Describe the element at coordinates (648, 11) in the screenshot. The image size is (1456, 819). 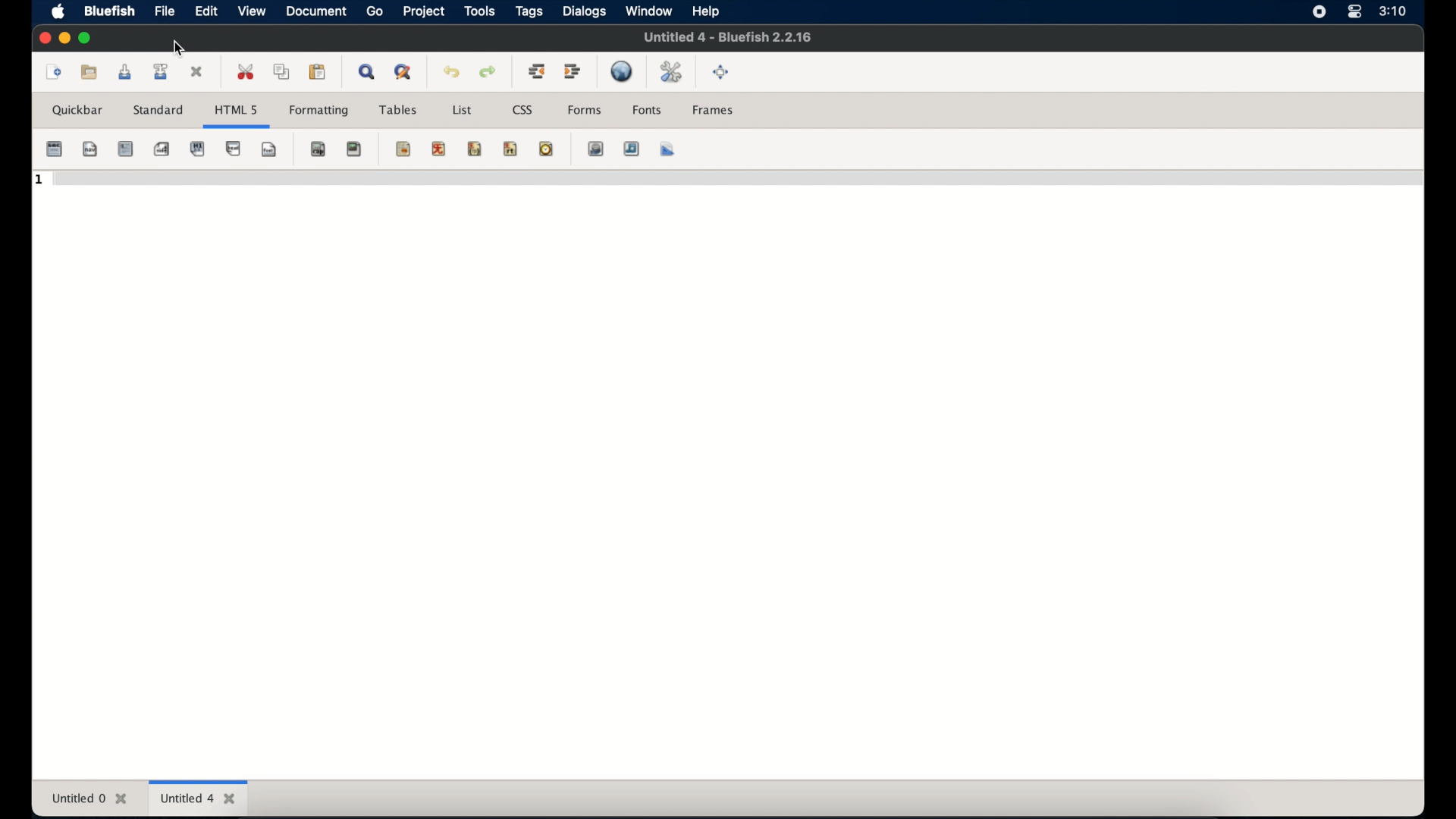
I see `window` at that location.